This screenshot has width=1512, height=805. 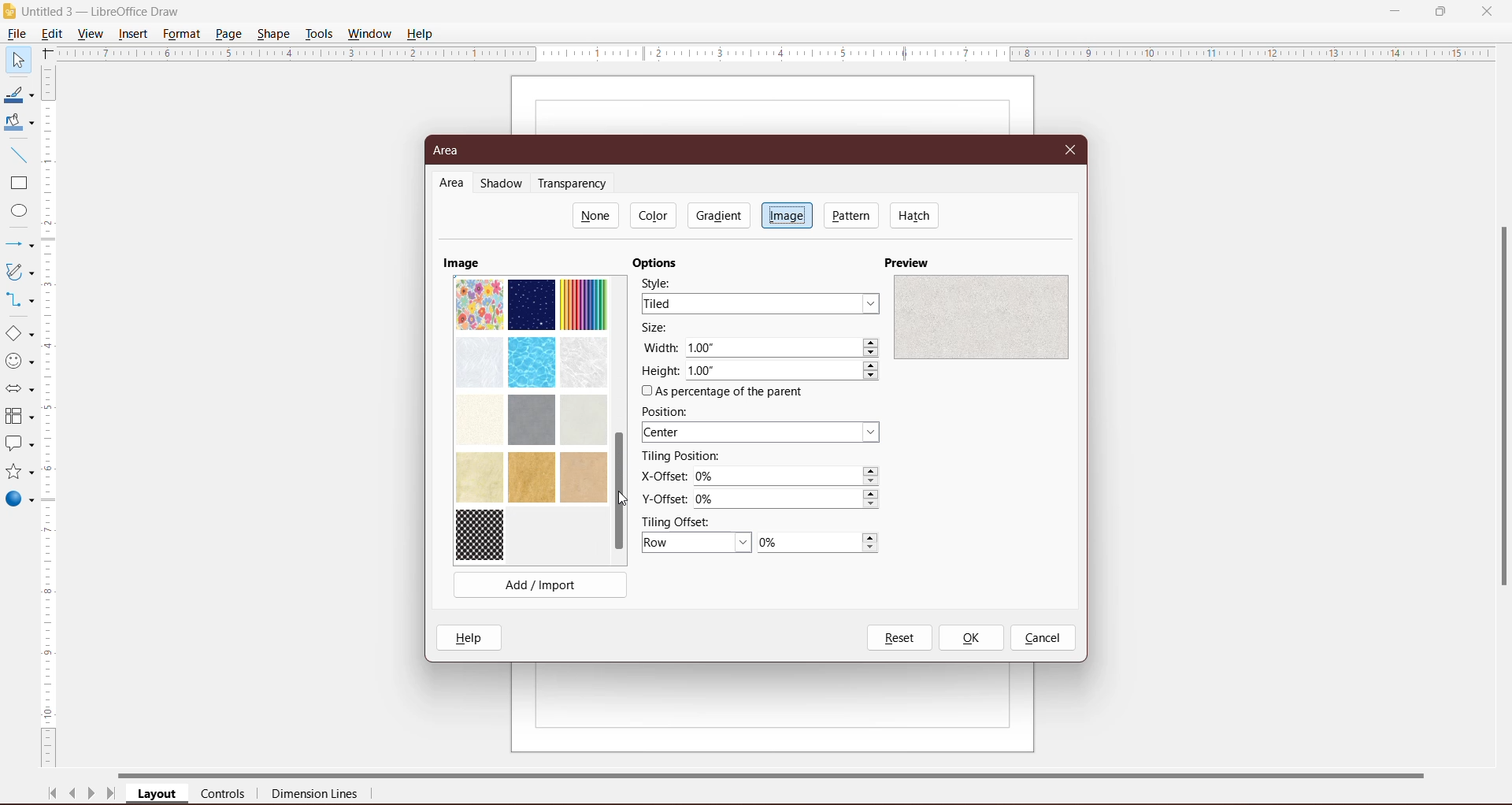 What do you see at coordinates (91, 33) in the screenshot?
I see `View` at bounding box center [91, 33].